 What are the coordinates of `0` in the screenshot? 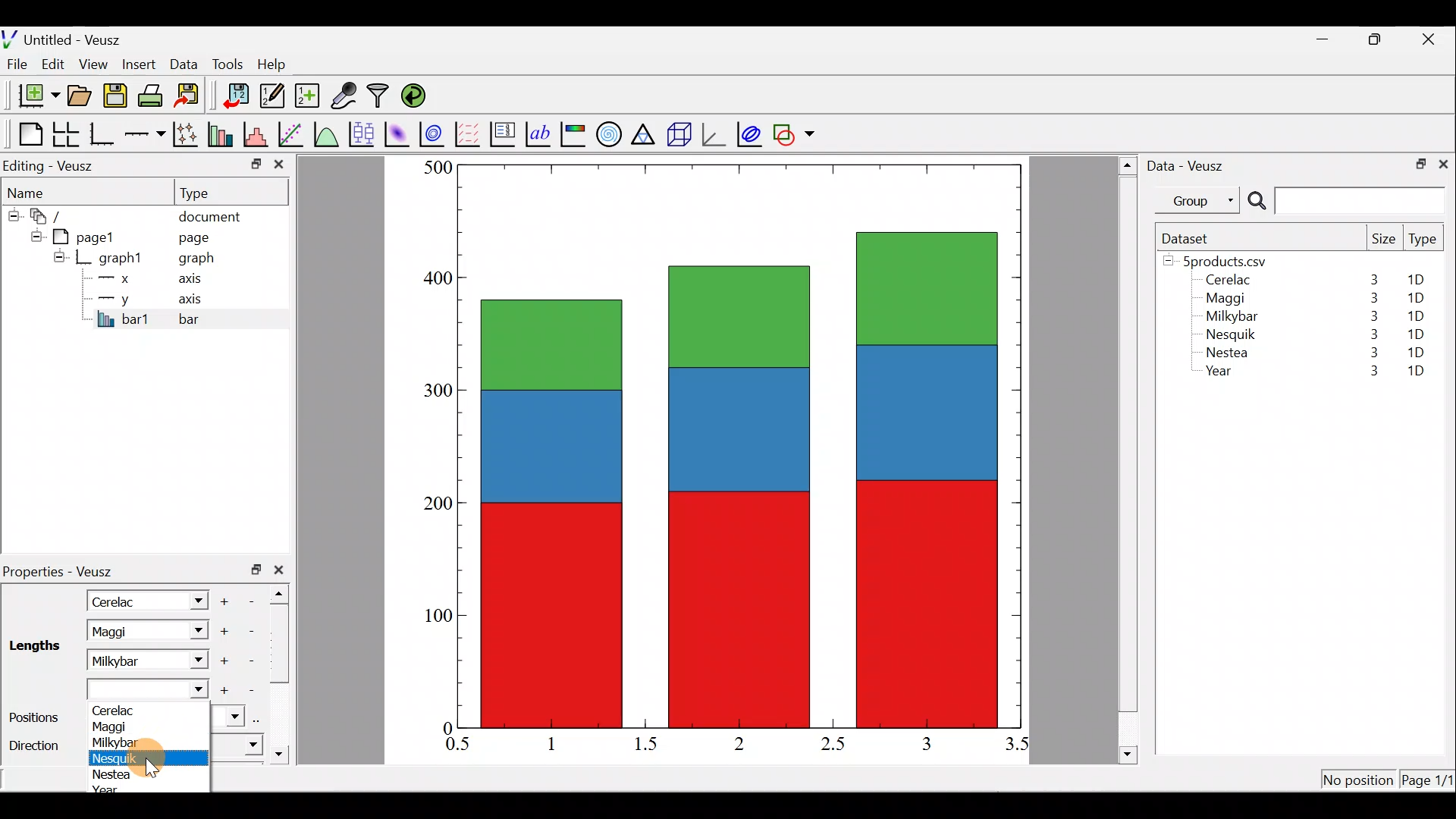 It's located at (445, 727).